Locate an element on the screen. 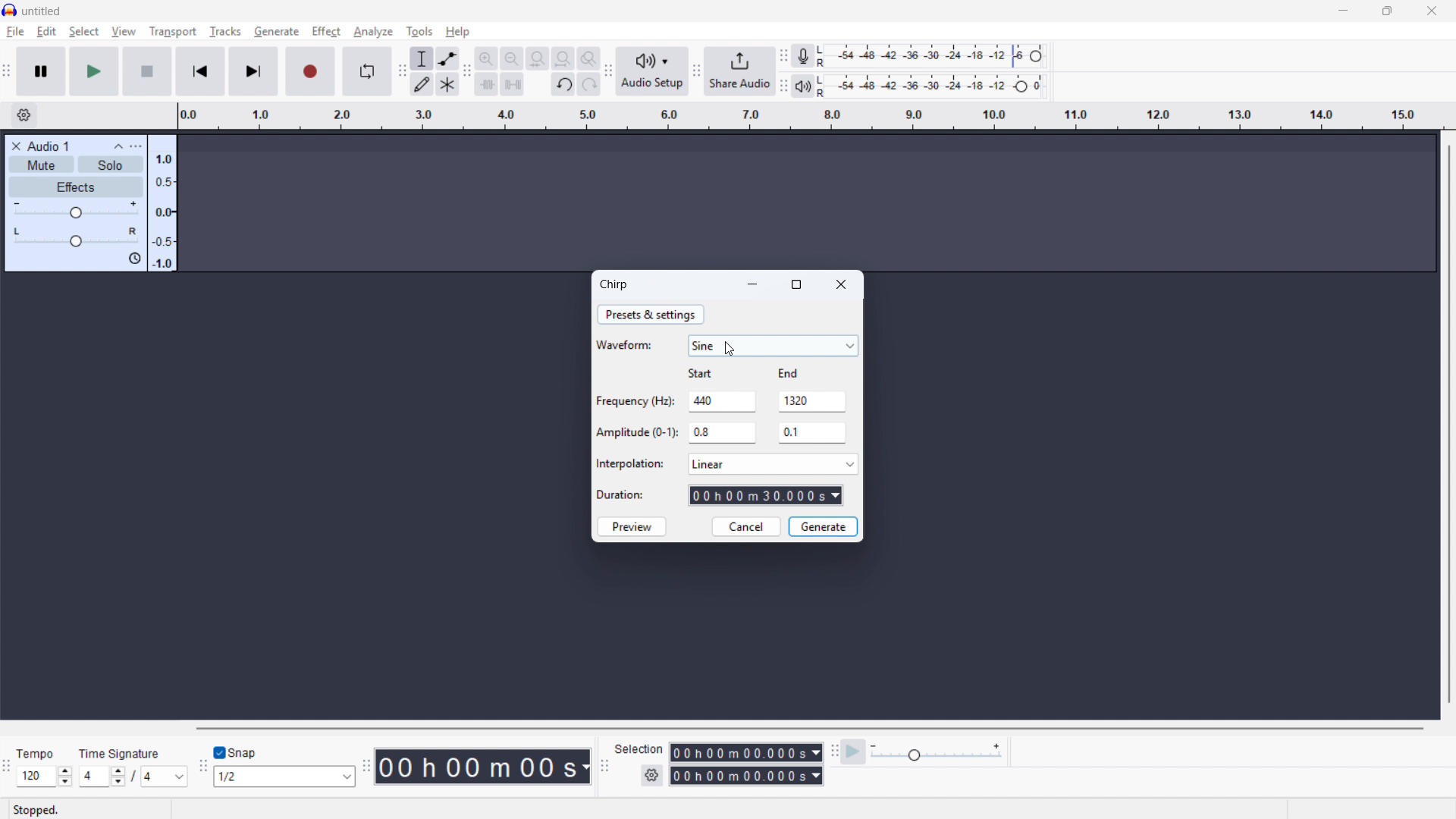 Image resolution: width=1456 pixels, height=819 pixels. Waveform  is located at coordinates (773, 346).